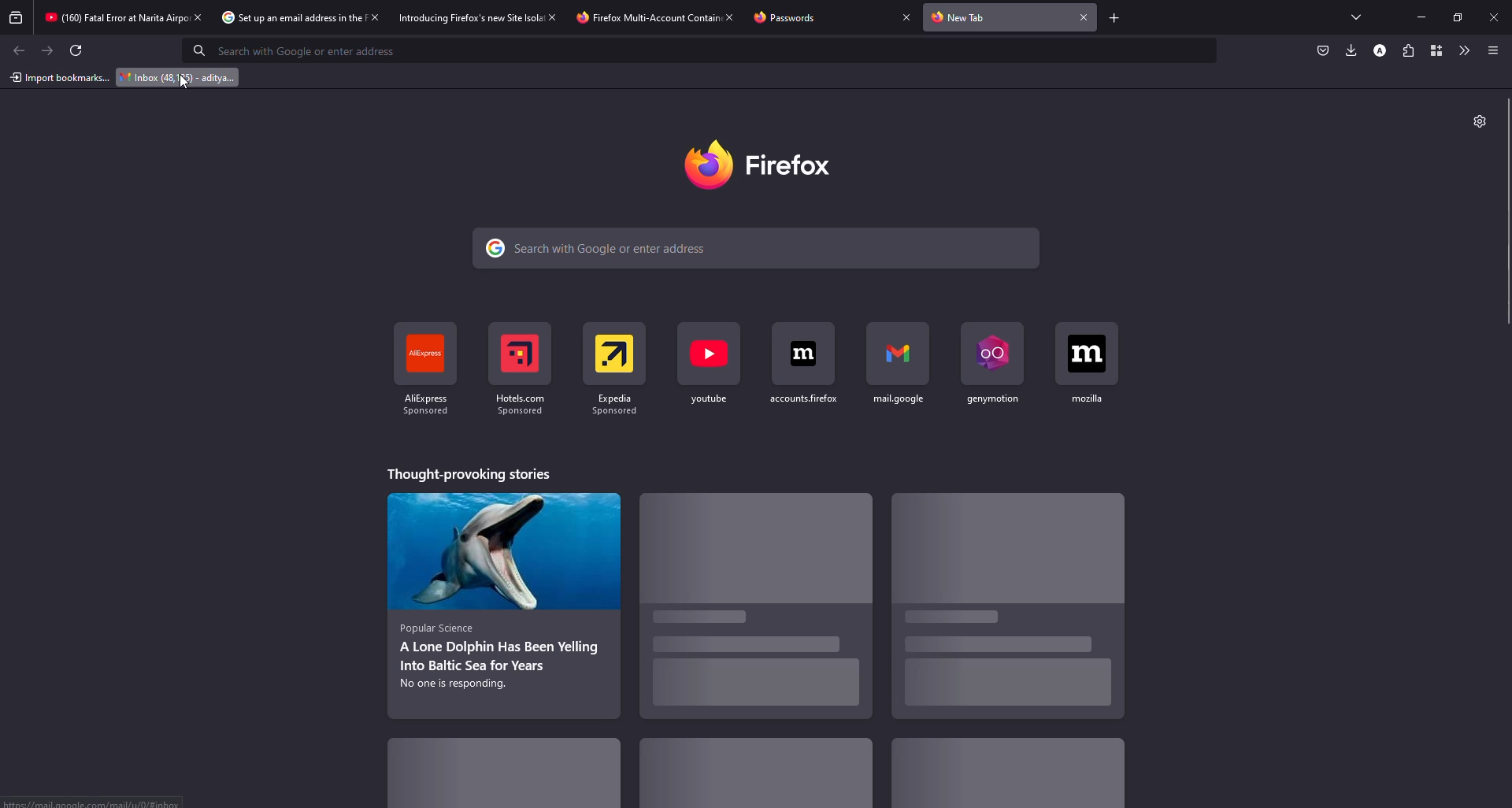 The image size is (1512, 808). What do you see at coordinates (1006, 775) in the screenshot?
I see `stories` at bounding box center [1006, 775].